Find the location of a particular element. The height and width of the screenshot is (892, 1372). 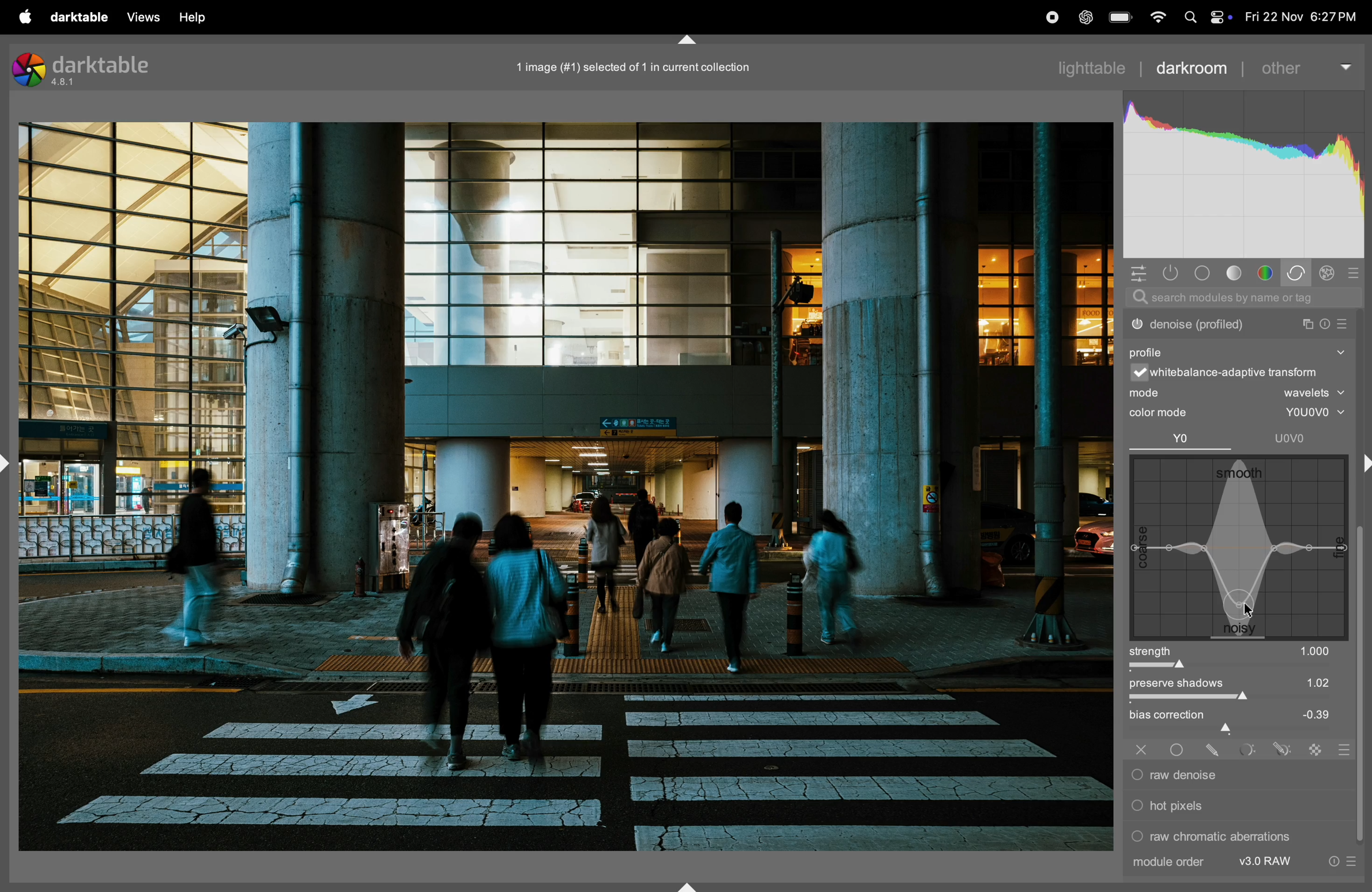

module order is located at coordinates (1208, 862).